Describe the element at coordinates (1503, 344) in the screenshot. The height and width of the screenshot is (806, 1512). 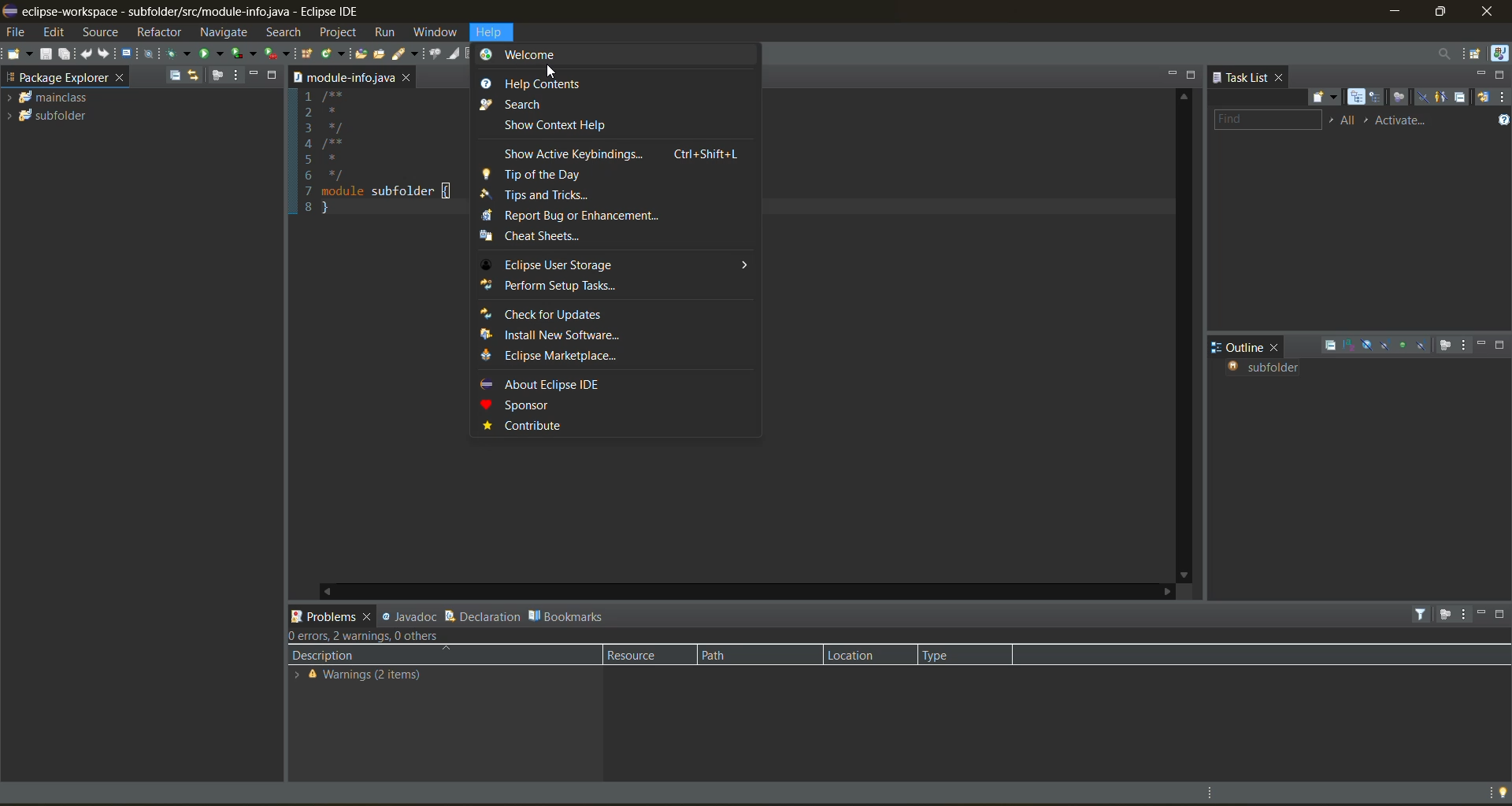
I see `maximize` at that location.